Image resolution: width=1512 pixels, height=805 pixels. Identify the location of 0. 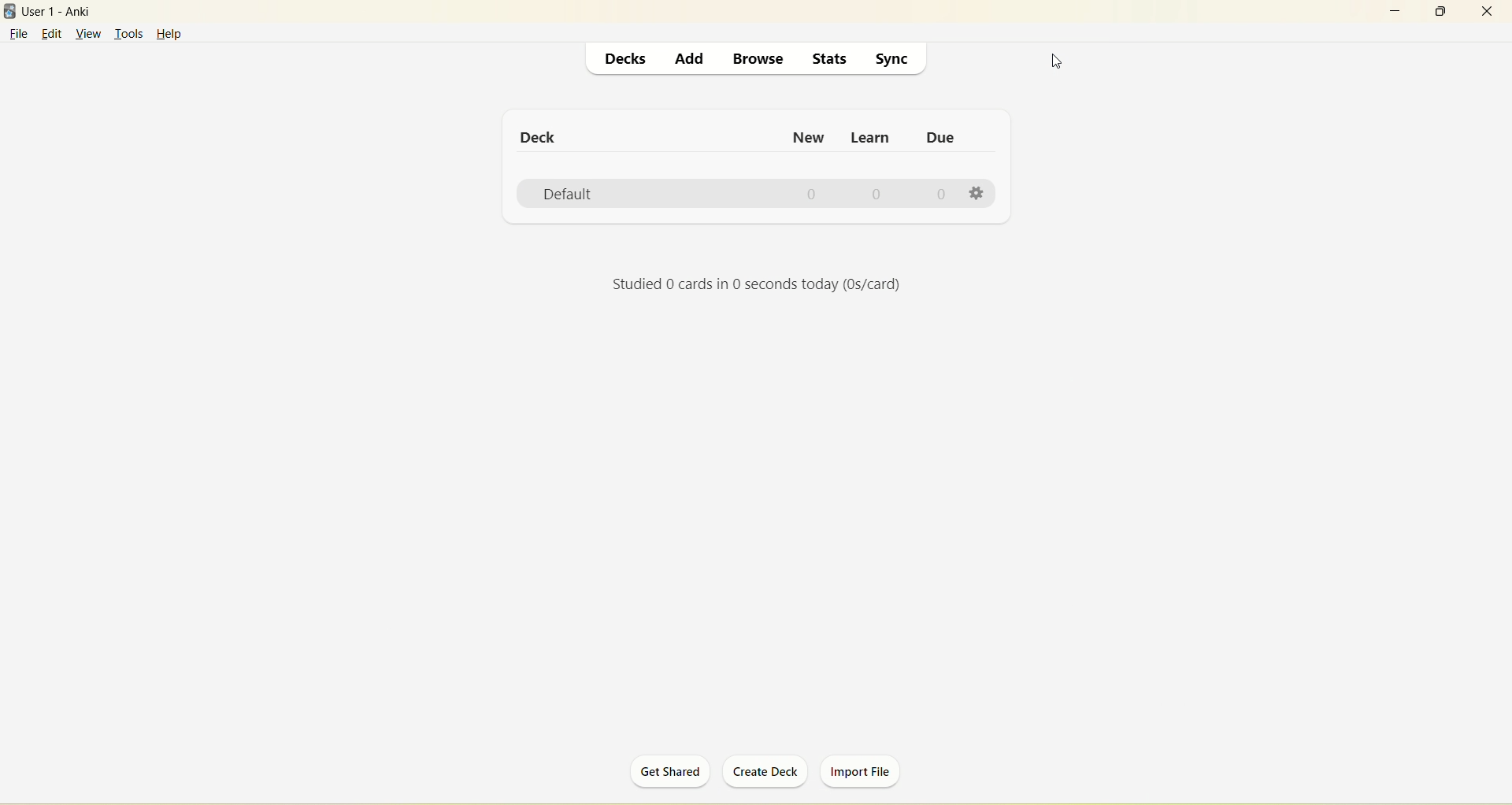
(943, 193).